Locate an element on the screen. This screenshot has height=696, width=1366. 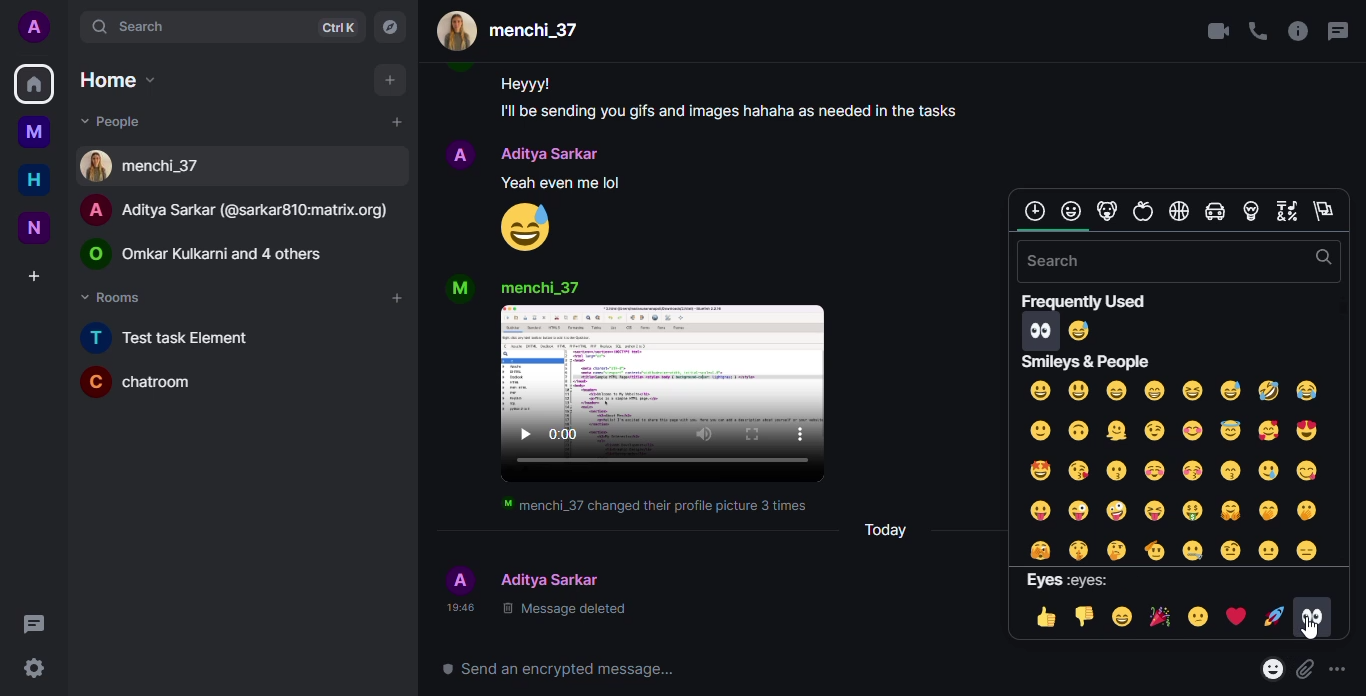
myspace is located at coordinates (37, 132).